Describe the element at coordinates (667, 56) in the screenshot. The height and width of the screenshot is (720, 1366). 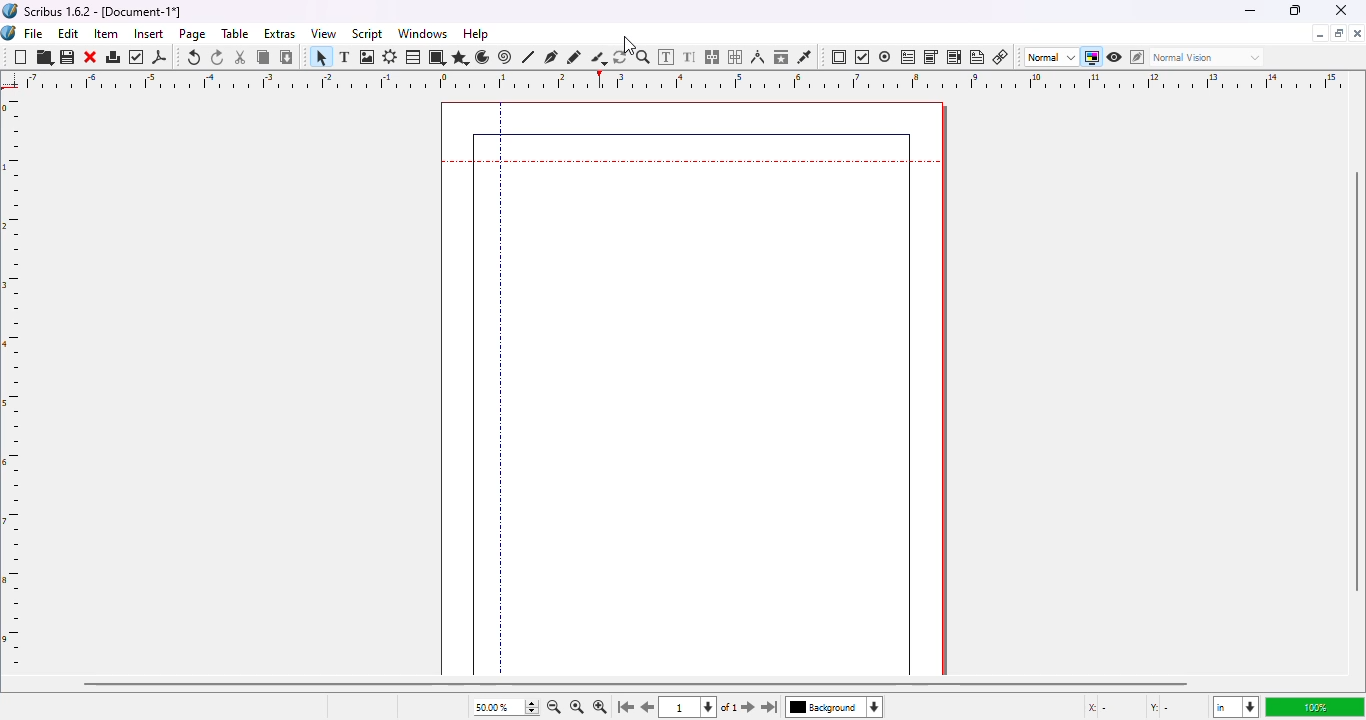
I see `edit contents in frame` at that location.